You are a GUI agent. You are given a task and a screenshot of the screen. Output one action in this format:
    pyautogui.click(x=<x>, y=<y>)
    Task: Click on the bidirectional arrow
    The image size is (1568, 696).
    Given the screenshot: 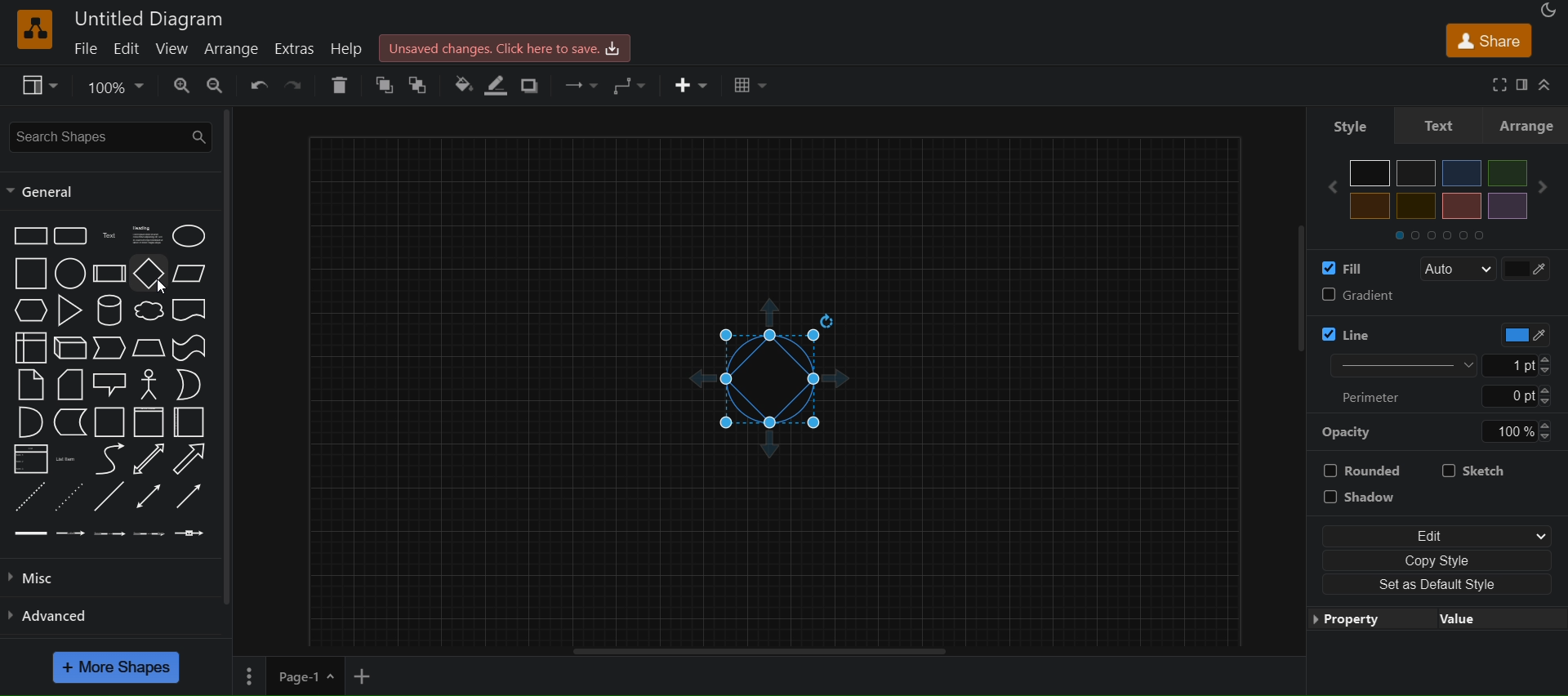 What is the action you would take?
    pyautogui.click(x=145, y=460)
    